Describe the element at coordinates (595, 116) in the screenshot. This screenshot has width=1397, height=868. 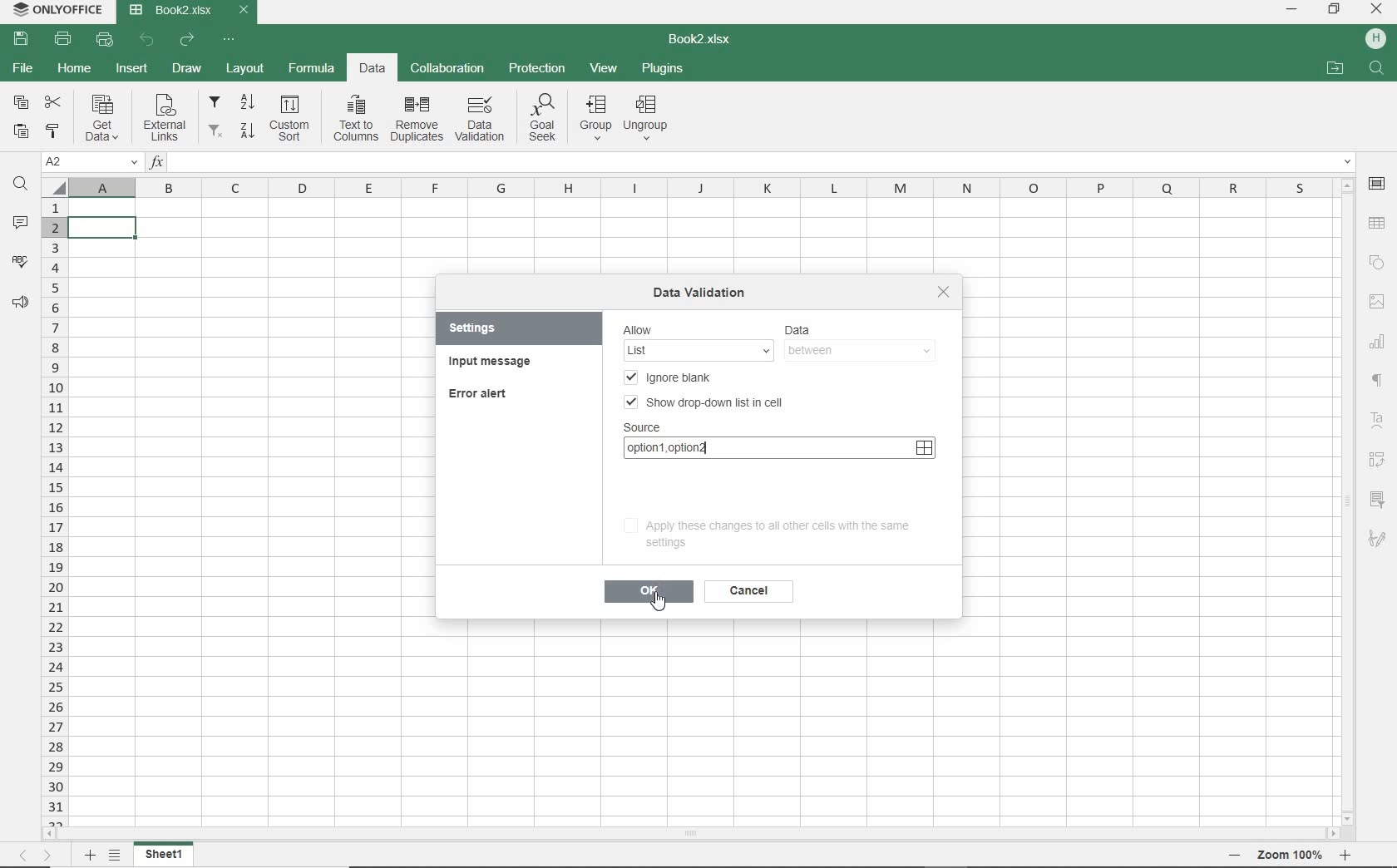
I see `group` at that location.